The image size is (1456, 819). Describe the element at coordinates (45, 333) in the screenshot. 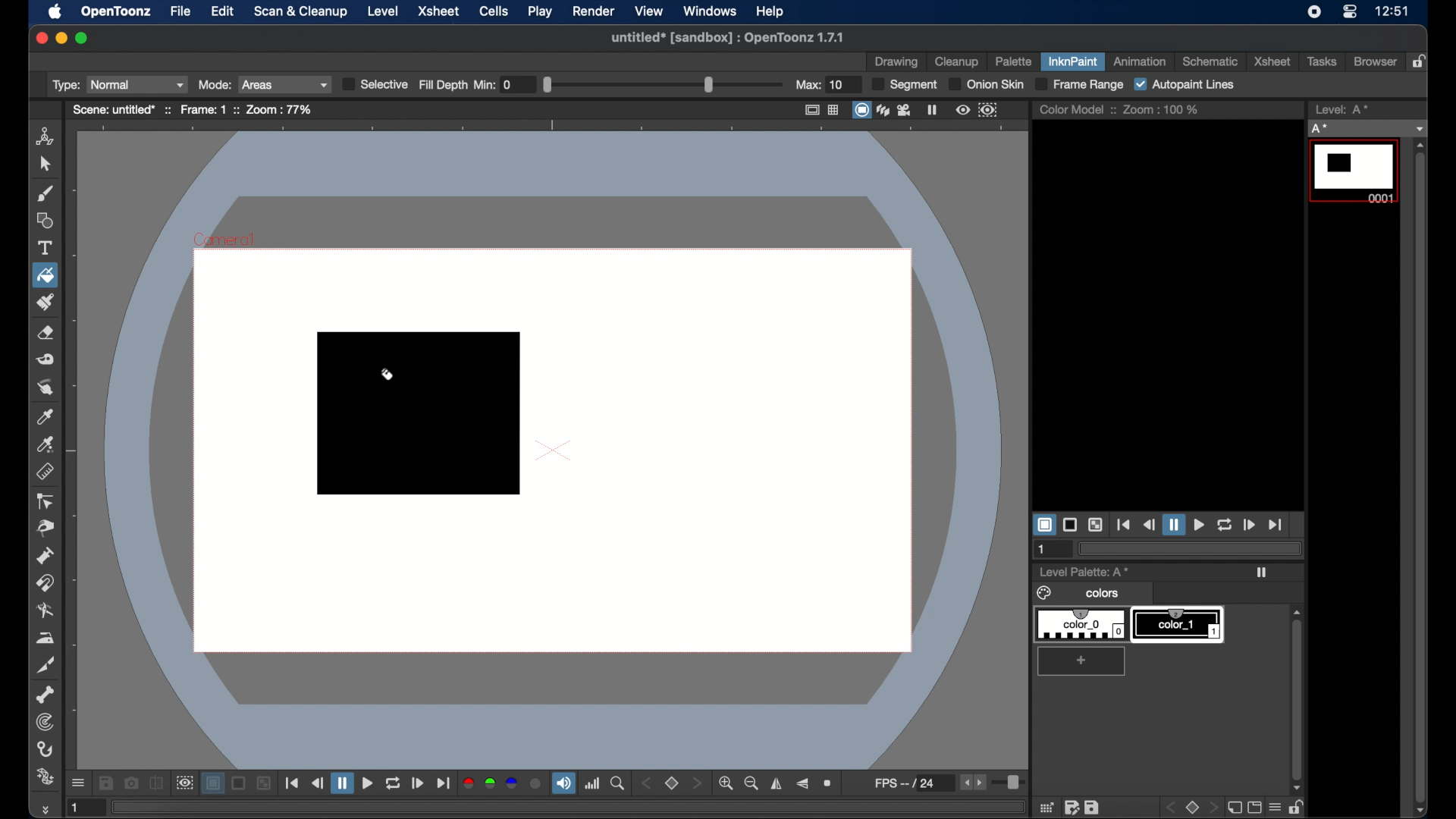

I see `eraser tool` at that location.